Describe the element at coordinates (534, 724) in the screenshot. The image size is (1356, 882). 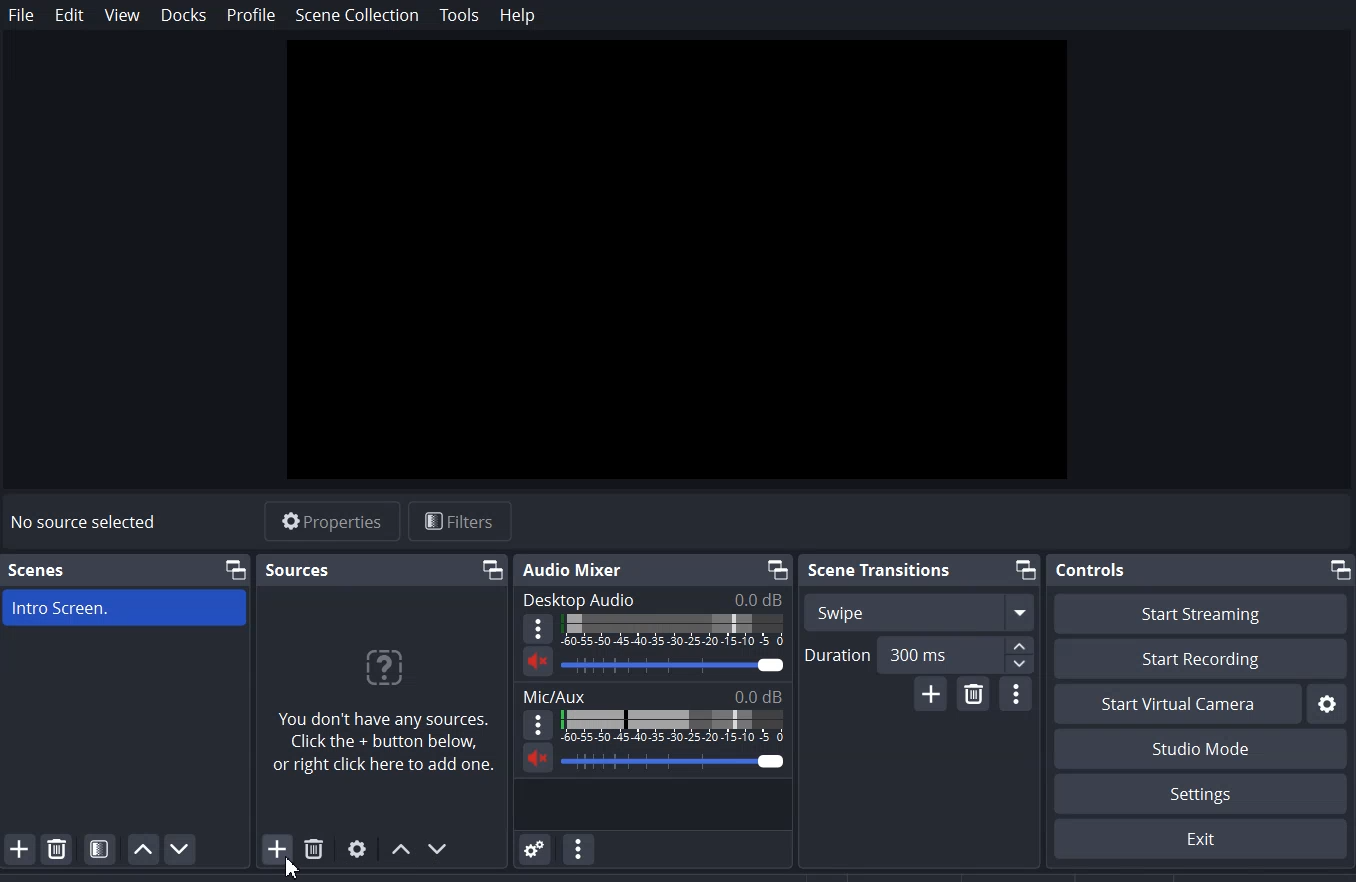
I see `More` at that location.